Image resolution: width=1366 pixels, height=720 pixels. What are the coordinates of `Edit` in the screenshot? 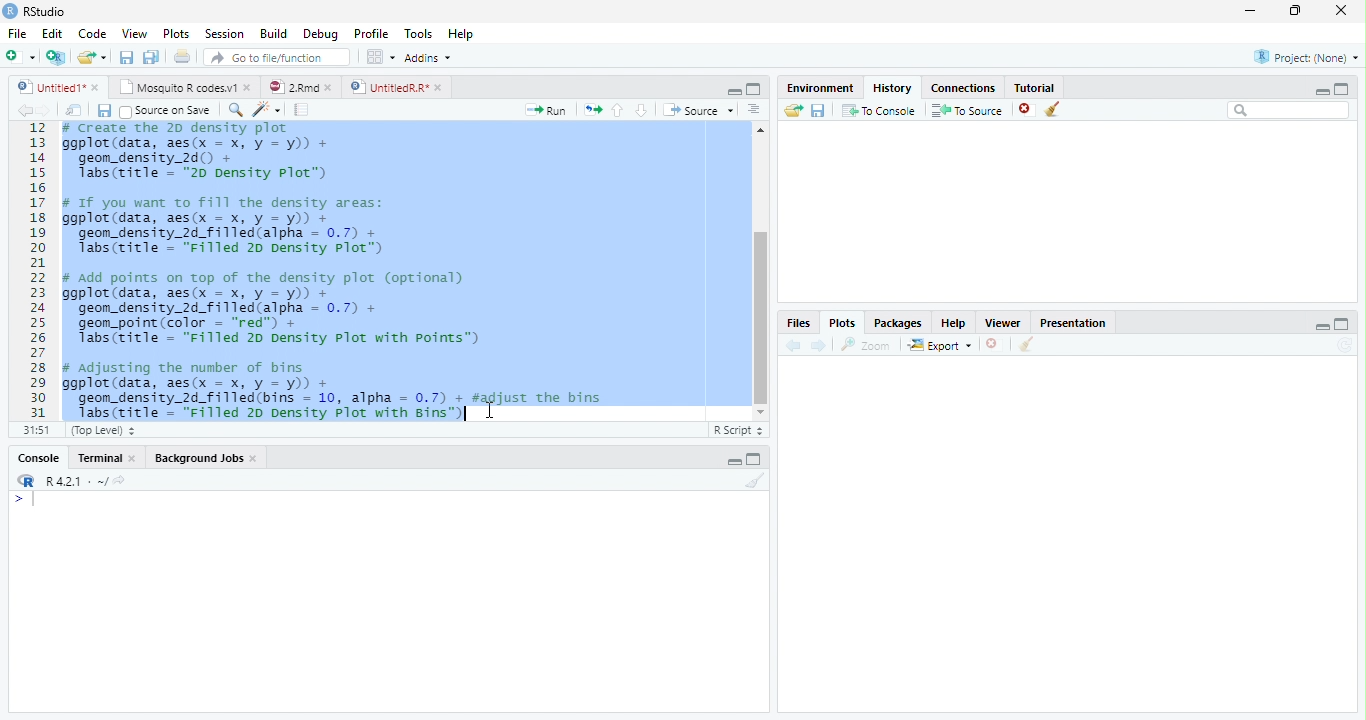 It's located at (52, 34).